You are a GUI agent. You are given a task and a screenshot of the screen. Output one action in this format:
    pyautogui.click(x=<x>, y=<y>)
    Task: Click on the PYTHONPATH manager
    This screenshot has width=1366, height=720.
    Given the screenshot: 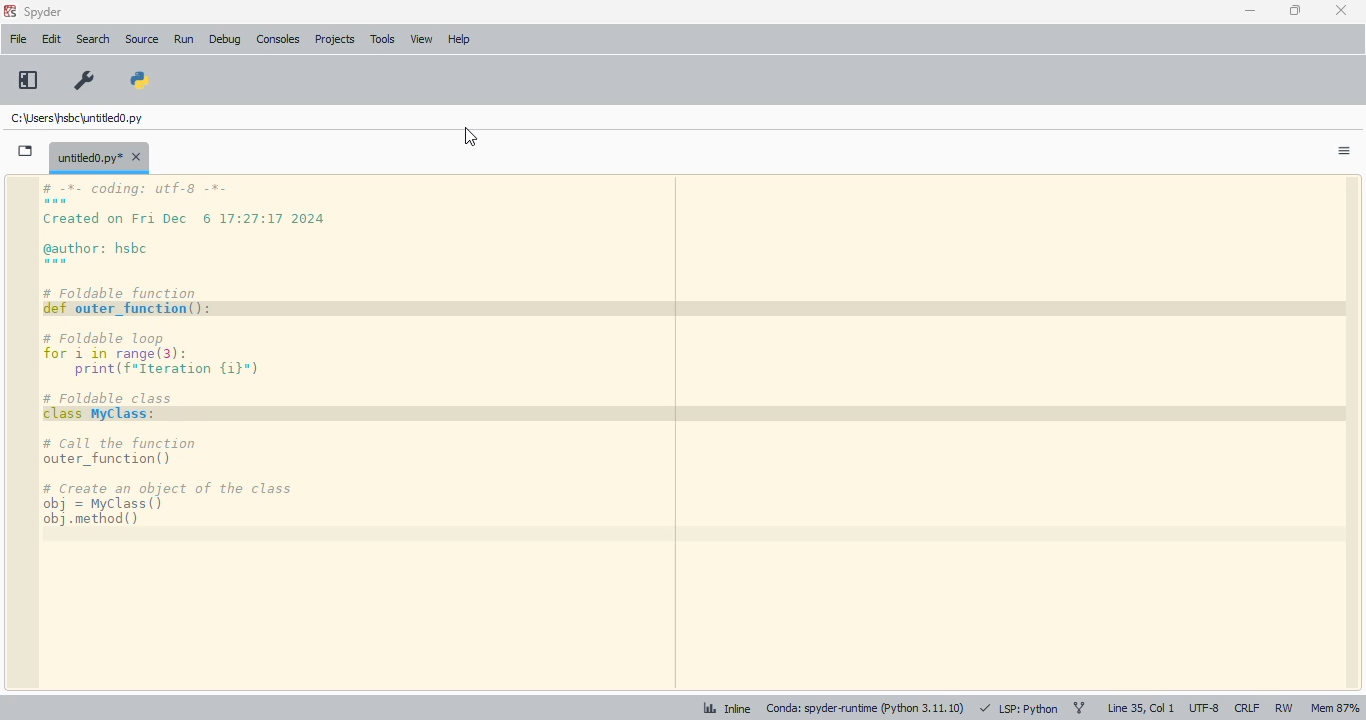 What is the action you would take?
    pyautogui.click(x=142, y=80)
    